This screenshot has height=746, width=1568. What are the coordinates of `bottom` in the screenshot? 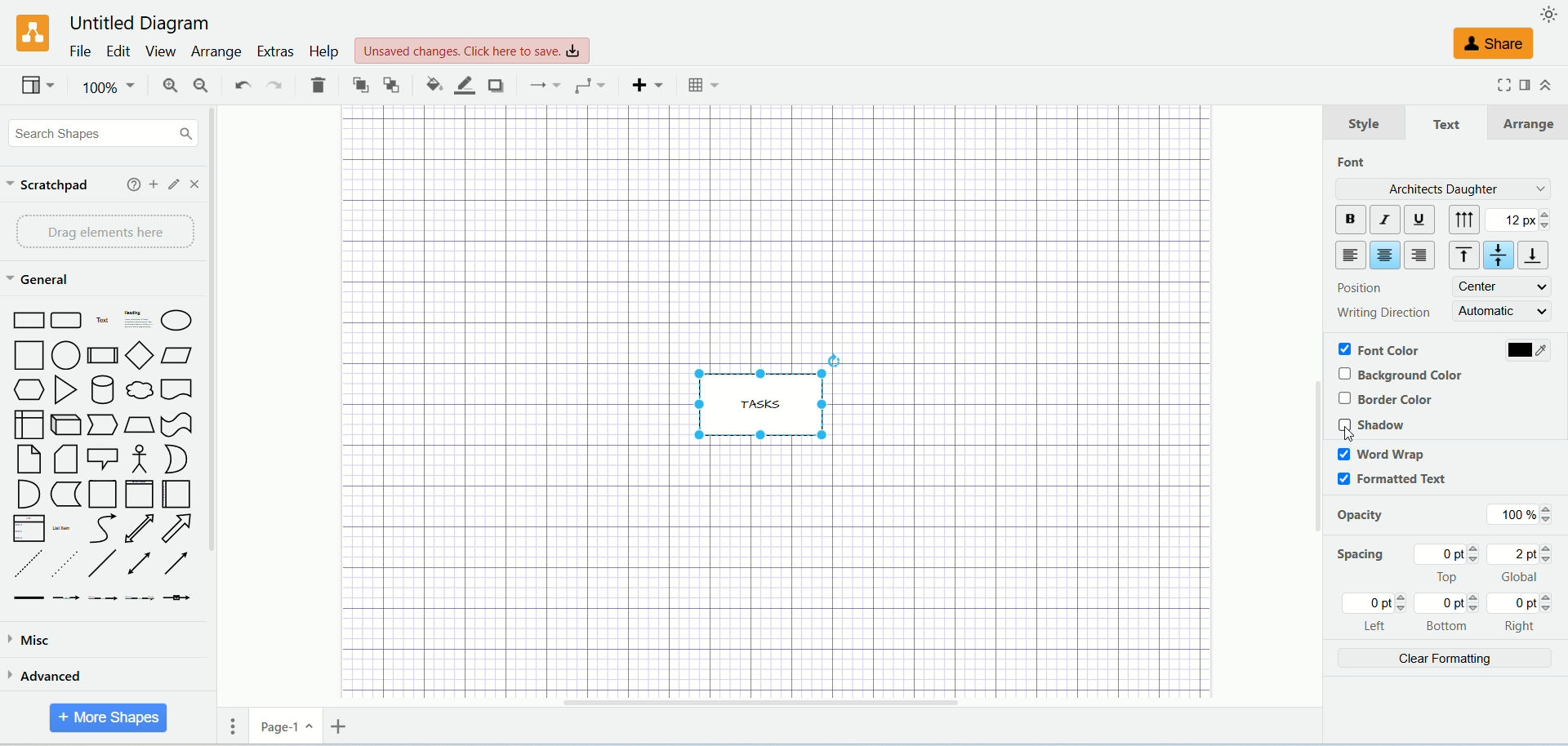 It's located at (1537, 255).